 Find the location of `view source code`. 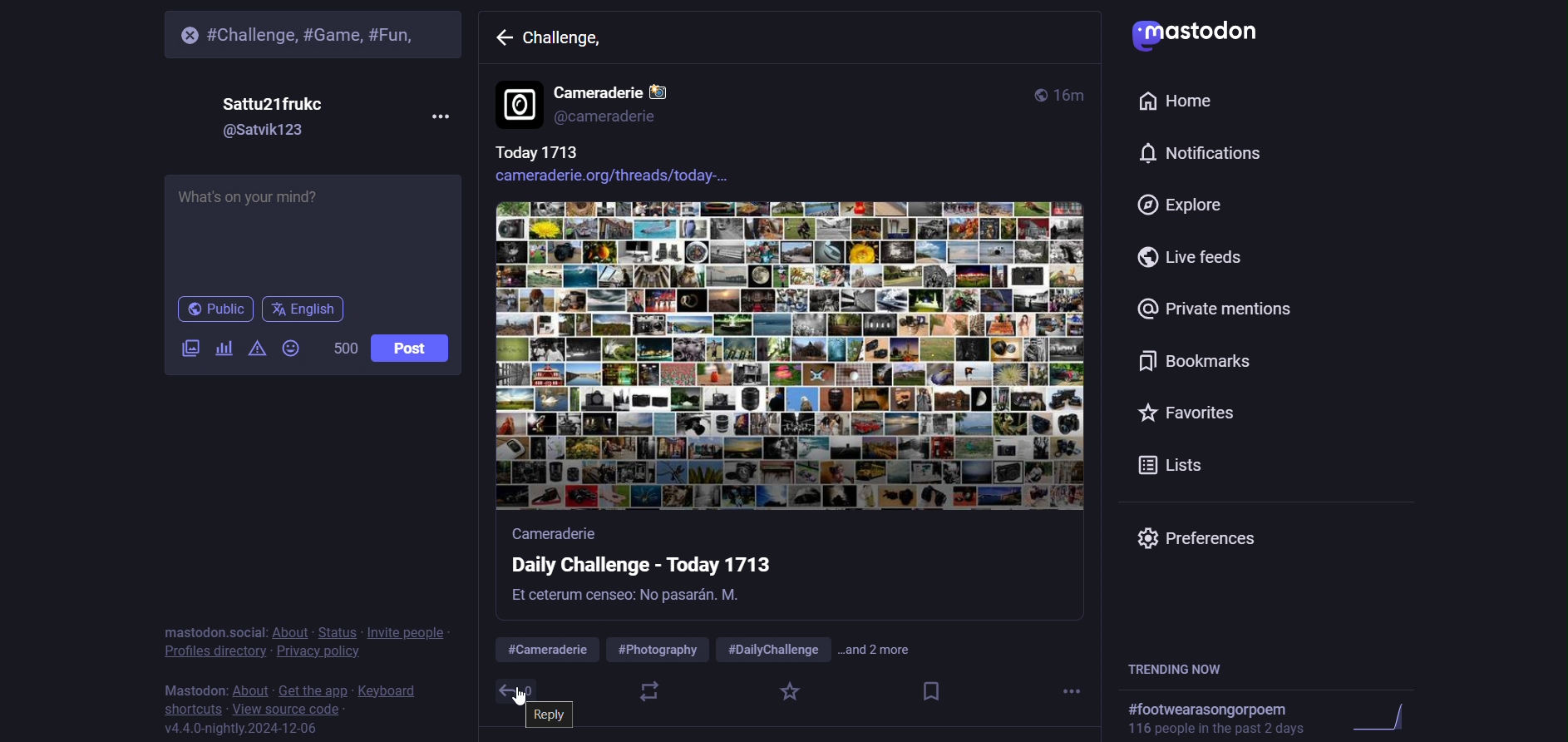

view source code is located at coordinates (290, 708).